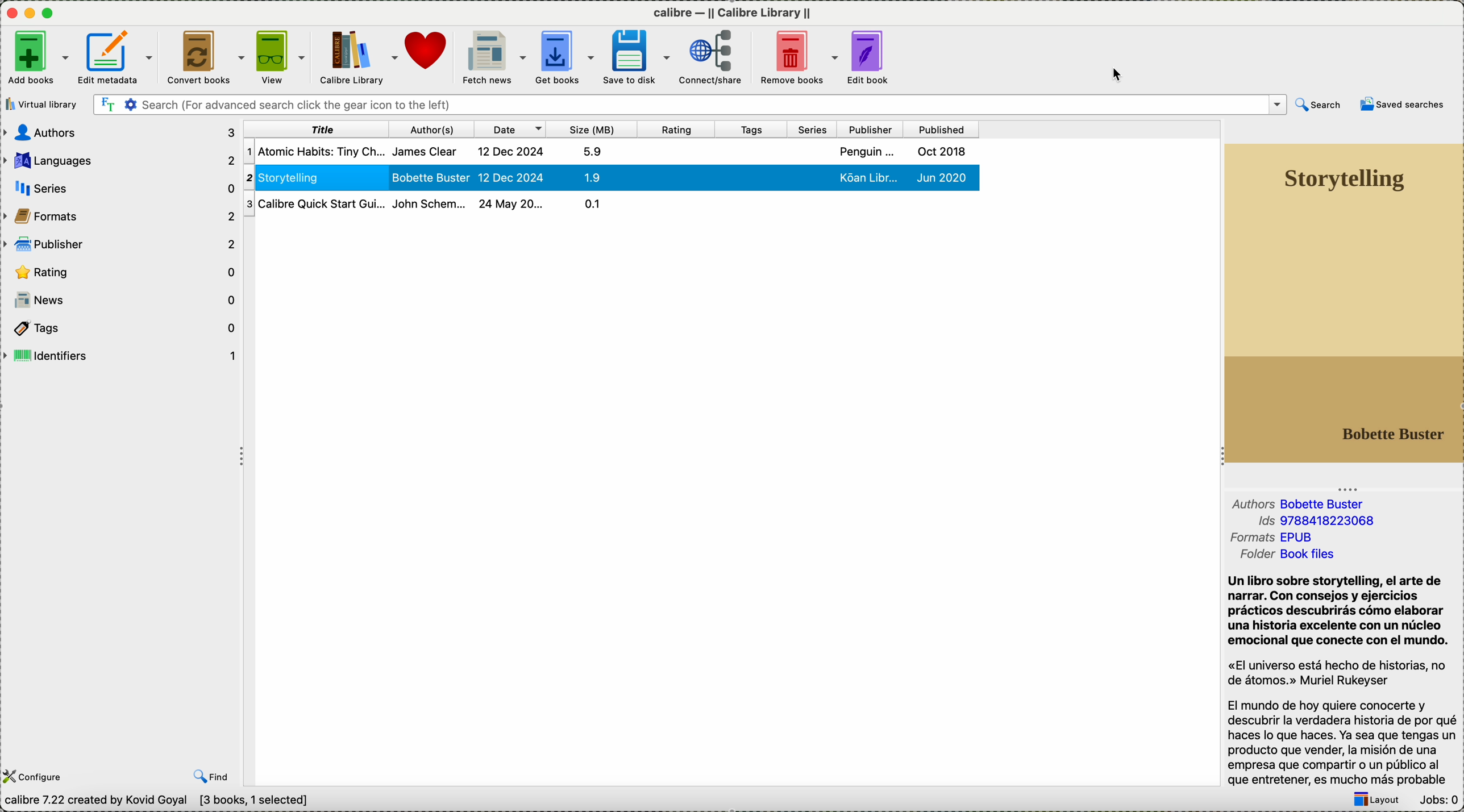  What do you see at coordinates (1288, 537) in the screenshot?
I see `folder` at bounding box center [1288, 537].